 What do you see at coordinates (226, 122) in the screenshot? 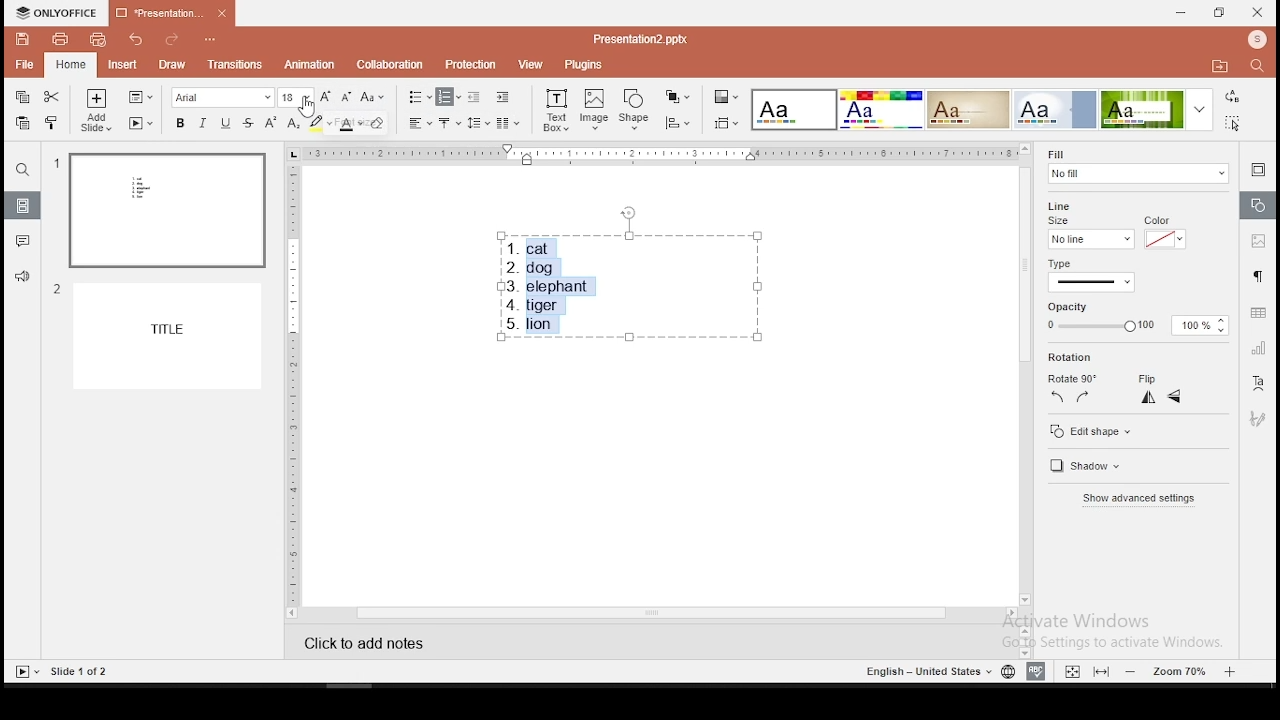
I see `underline` at bounding box center [226, 122].